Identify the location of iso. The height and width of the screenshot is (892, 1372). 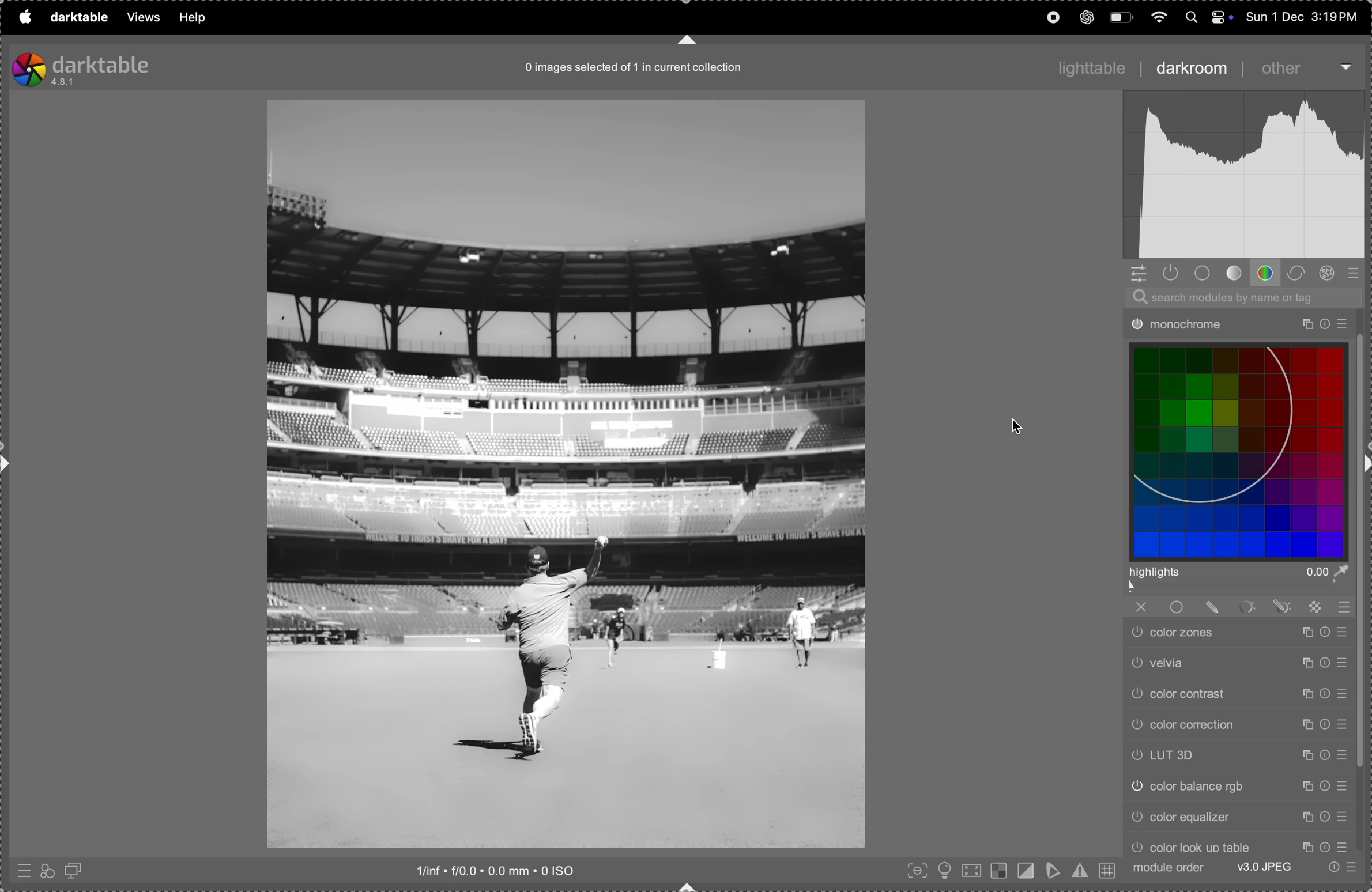
(497, 870).